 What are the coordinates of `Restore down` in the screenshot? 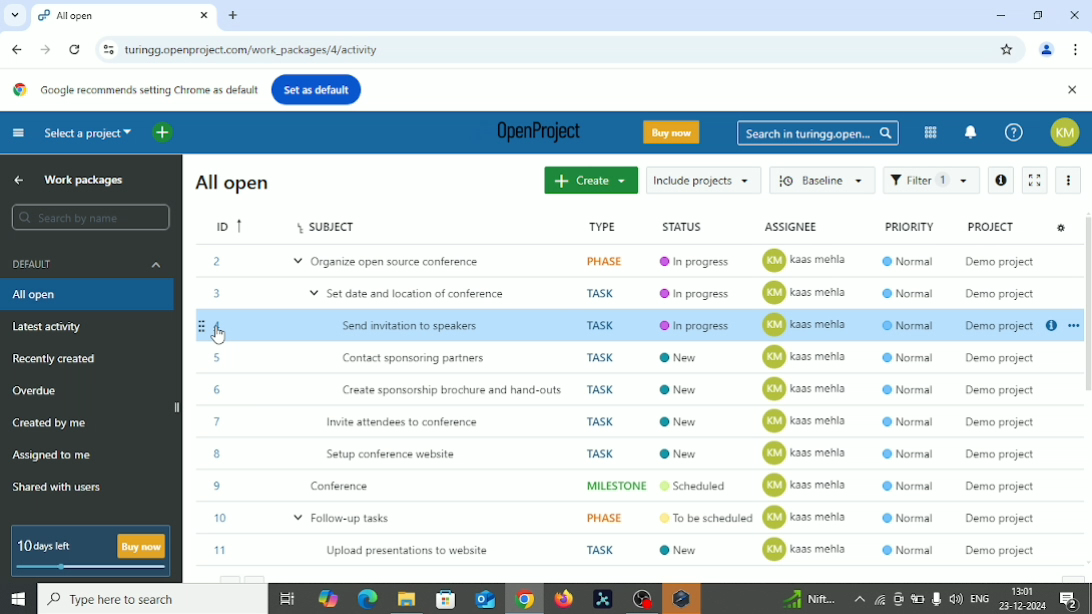 It's located at (1040, 14).